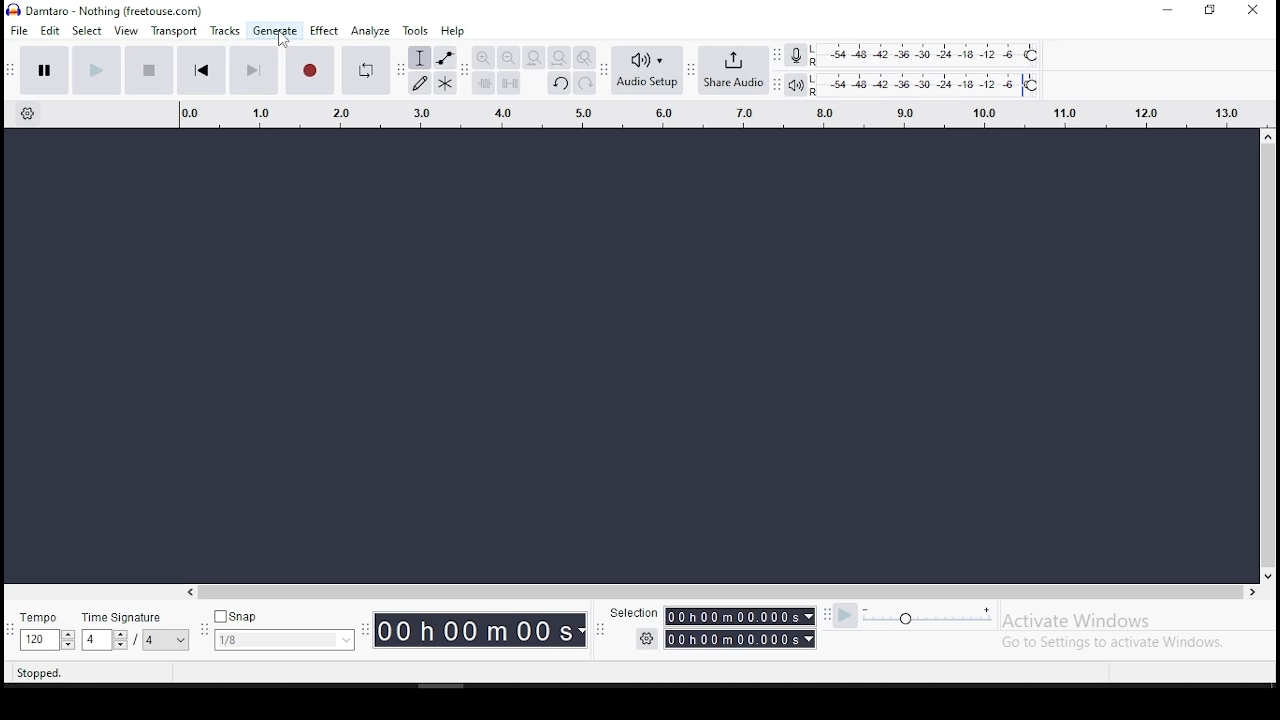  I want to click on stopped, so click(38, 675).